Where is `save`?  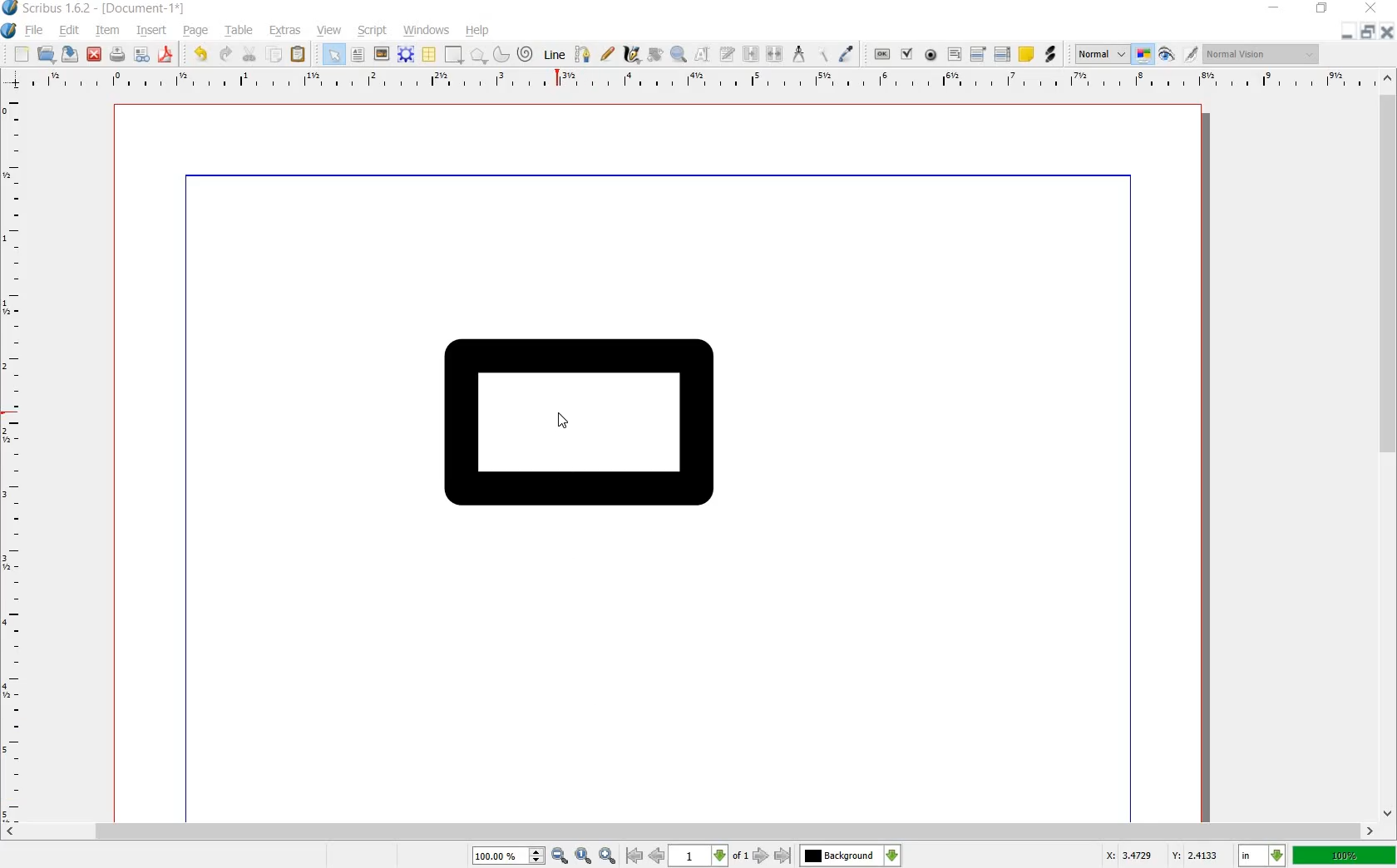
save is located at coordinates (70, 56).